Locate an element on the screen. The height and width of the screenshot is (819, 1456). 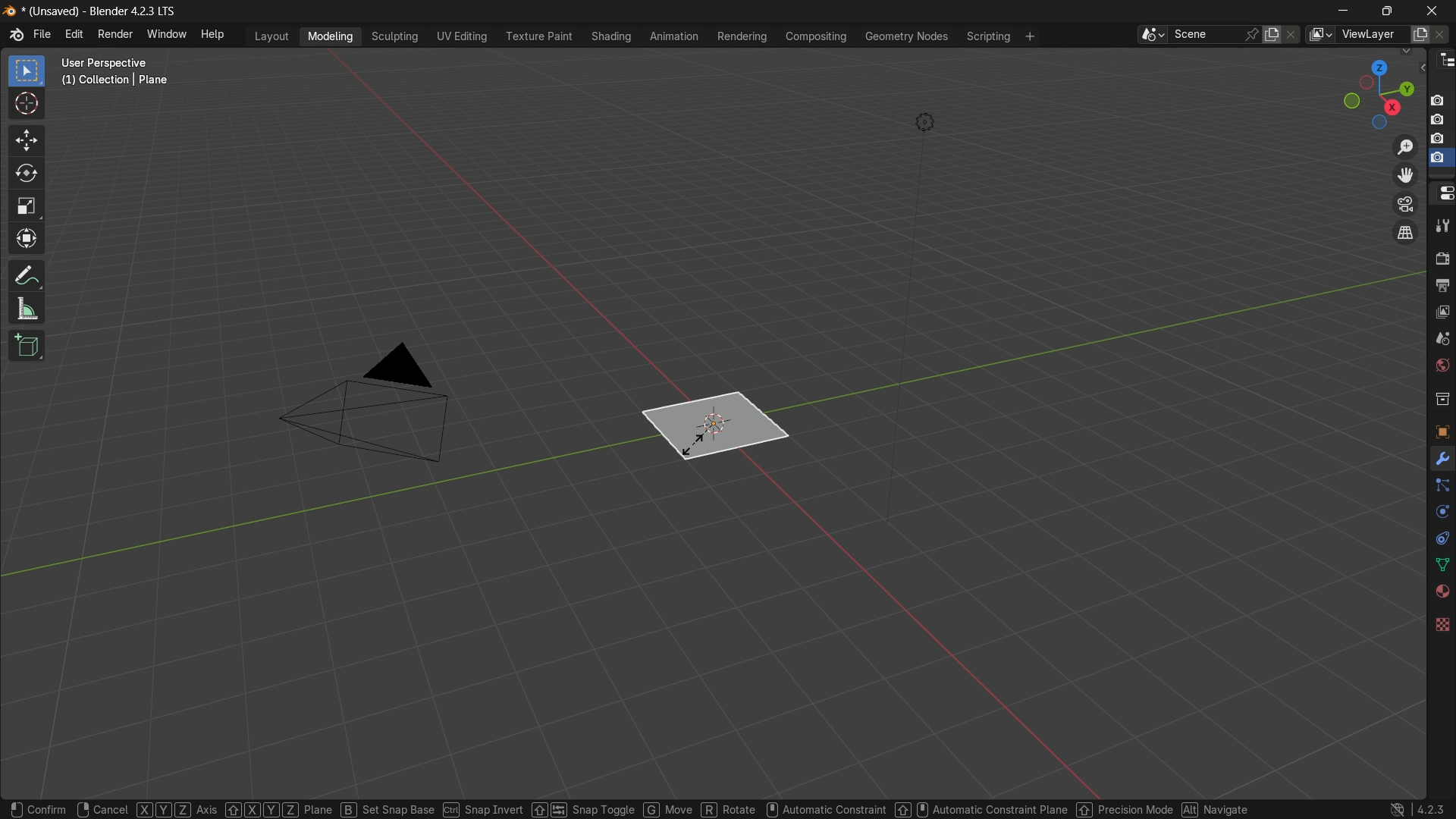
scene is located at coordinates (1439, 338).